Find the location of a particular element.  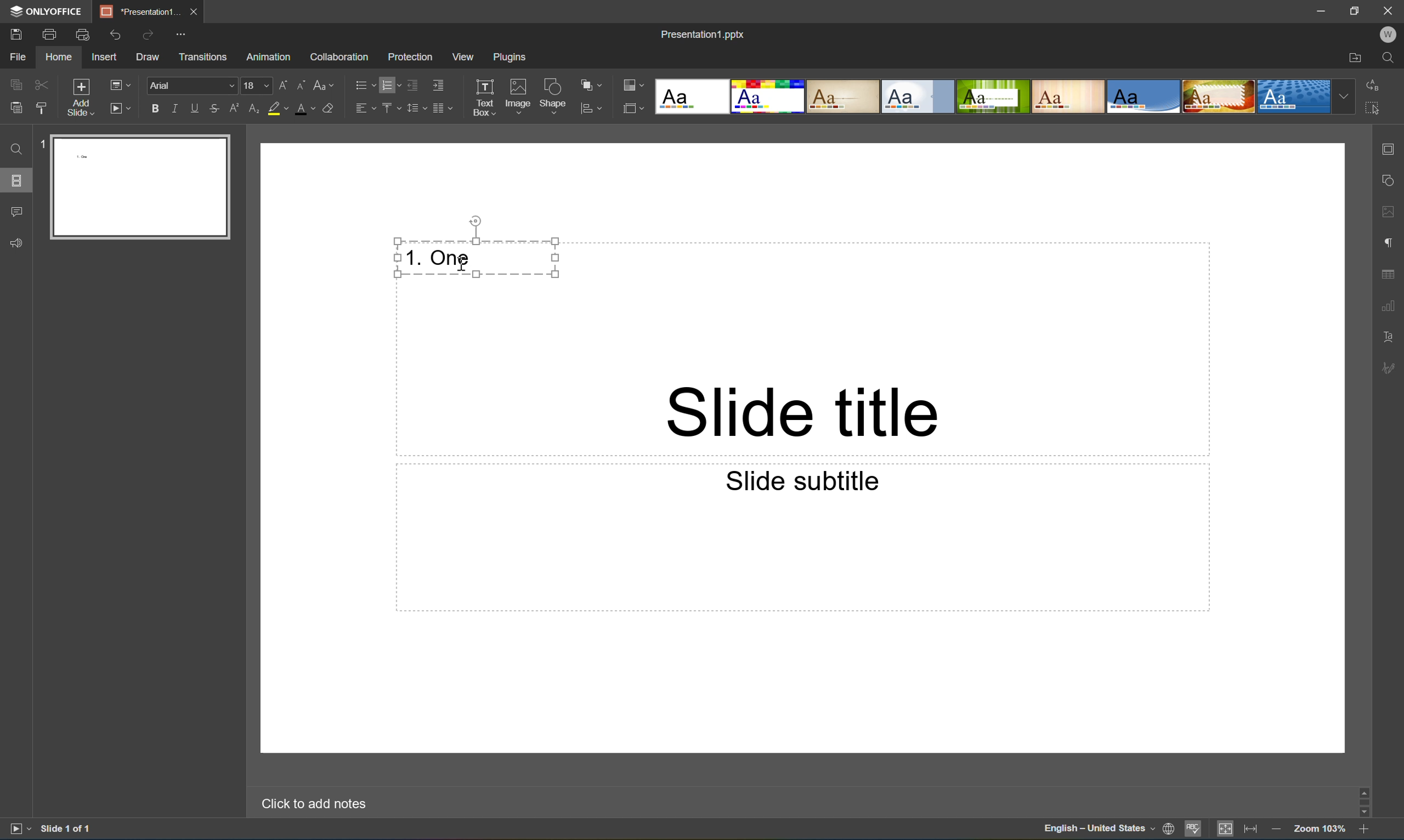

Zoom 103% is located at coordinates (1320, 831).